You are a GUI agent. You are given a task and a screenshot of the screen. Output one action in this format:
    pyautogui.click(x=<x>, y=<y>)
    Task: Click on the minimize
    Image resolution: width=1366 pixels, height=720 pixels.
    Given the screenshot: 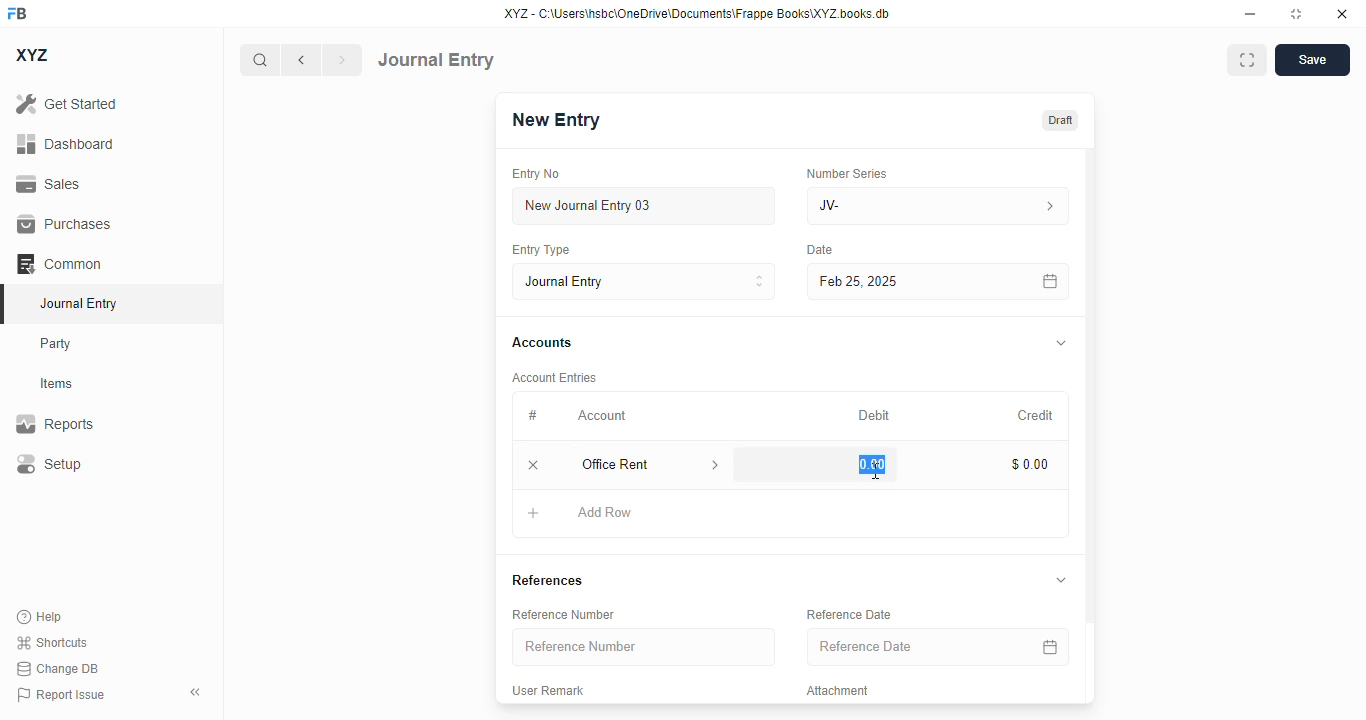 What is the action you would take?
    pyautogui.click(x=1251, y=13)
    